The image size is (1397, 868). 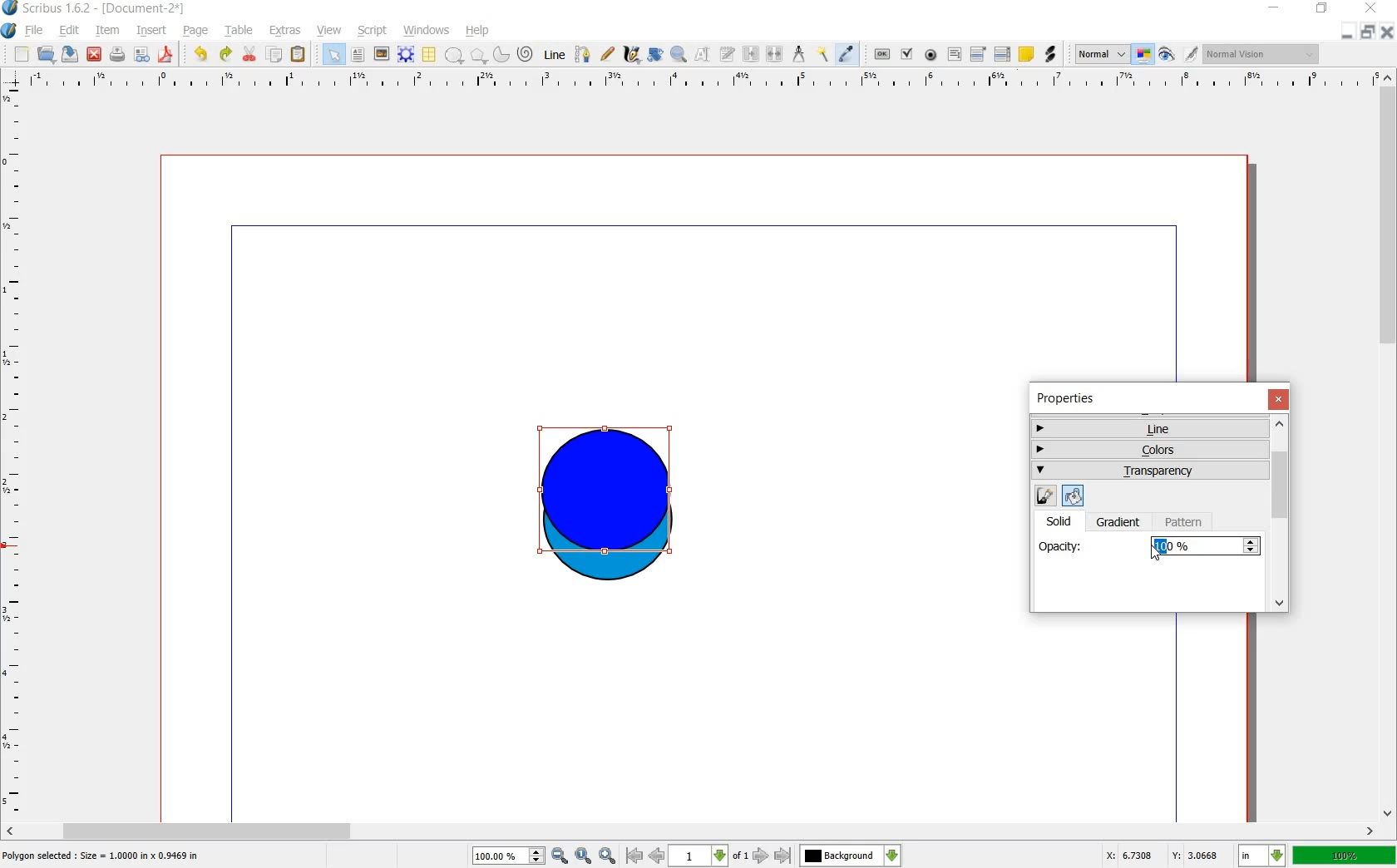 I want to click on restore, so click(x=1368, y=33).